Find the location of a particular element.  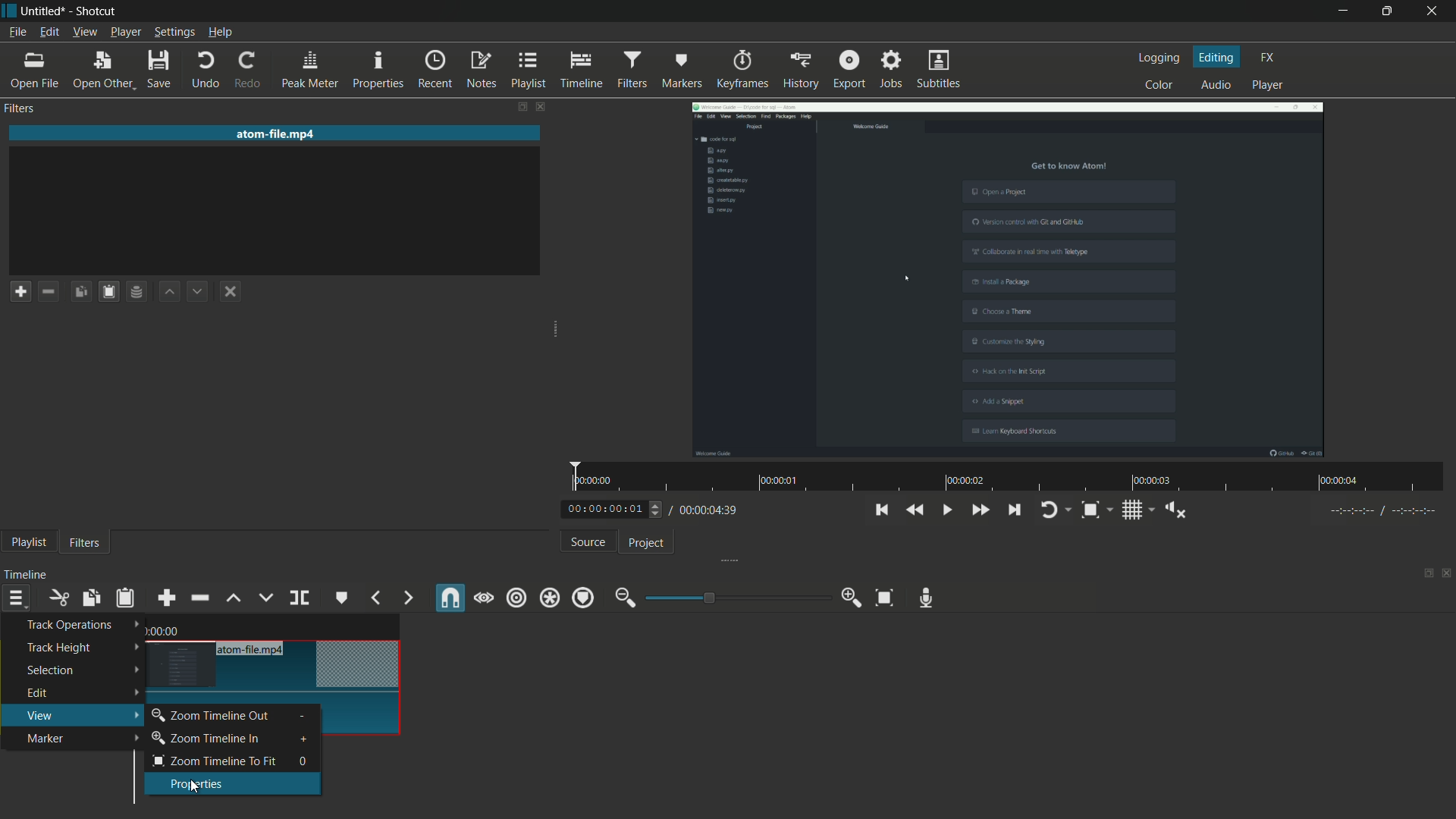

fx is located at coordinates (1268, 58).